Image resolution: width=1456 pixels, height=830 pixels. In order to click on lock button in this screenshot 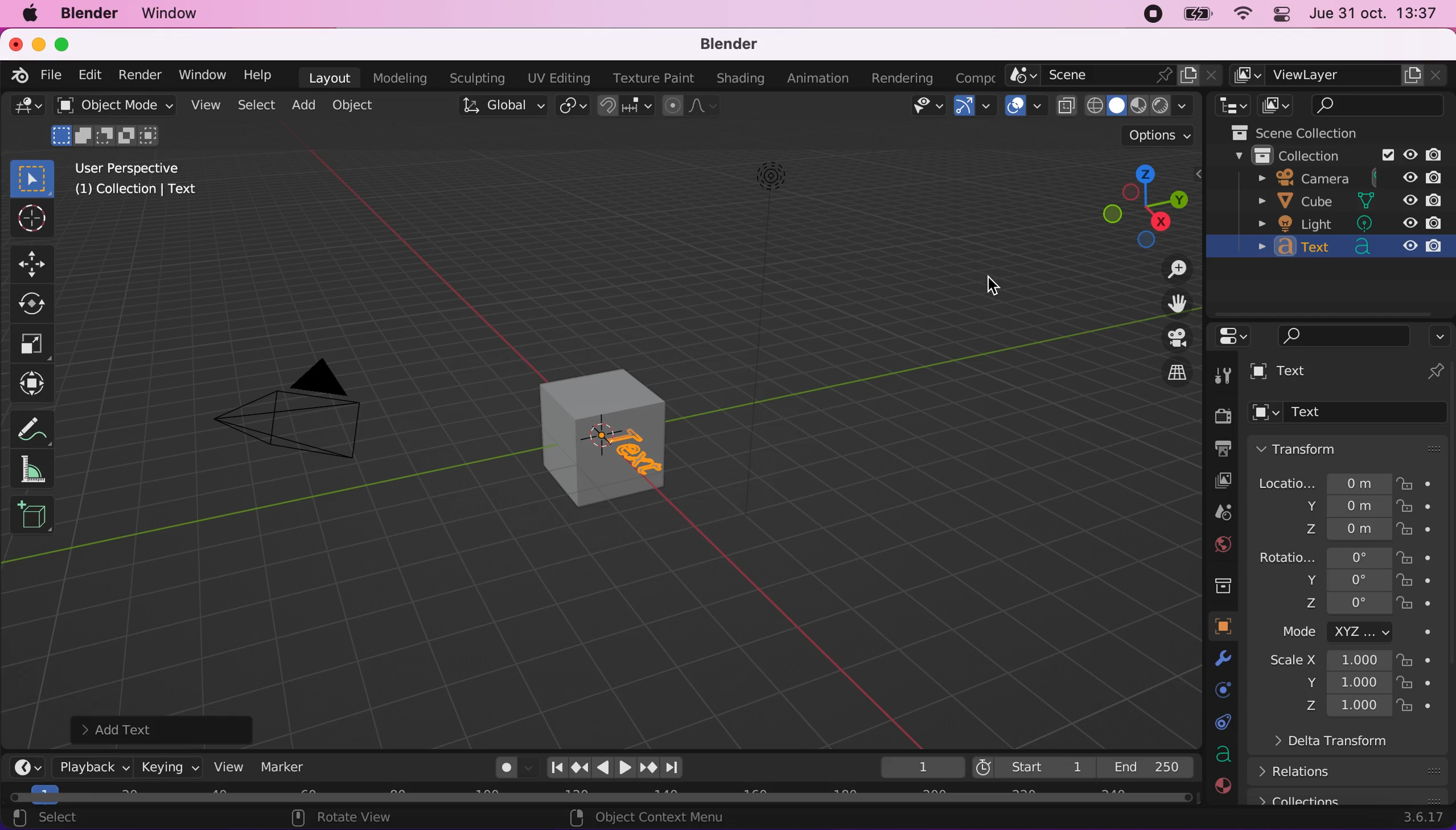, I will do `click(1417, 704)`.